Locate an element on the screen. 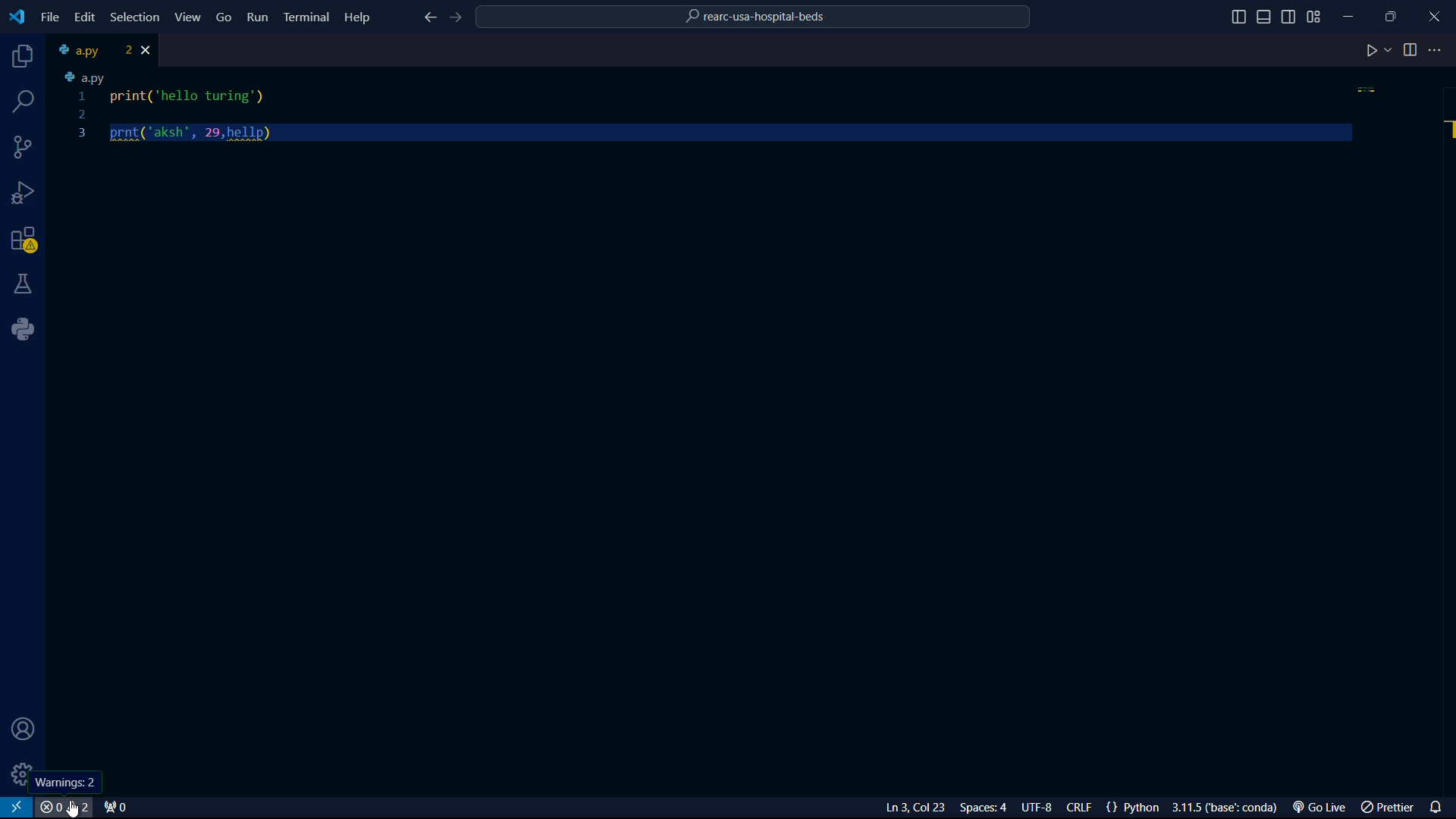 The image size is (1456, 819). back is located at coordinates (428, 19).